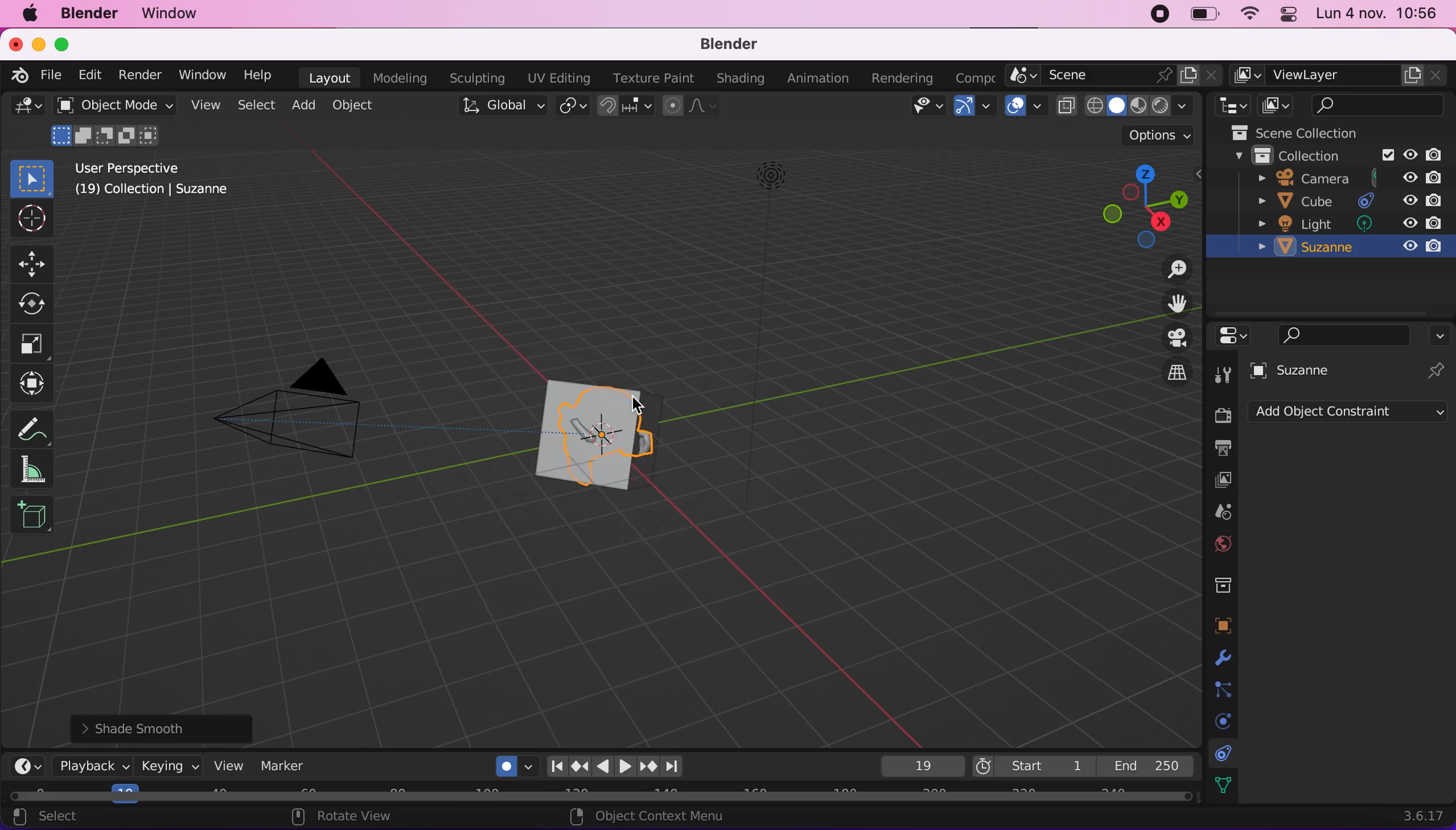  What do you see at coordinates (201, 75) in the screenshot?
I see `window` at bounding box center [201, 75].